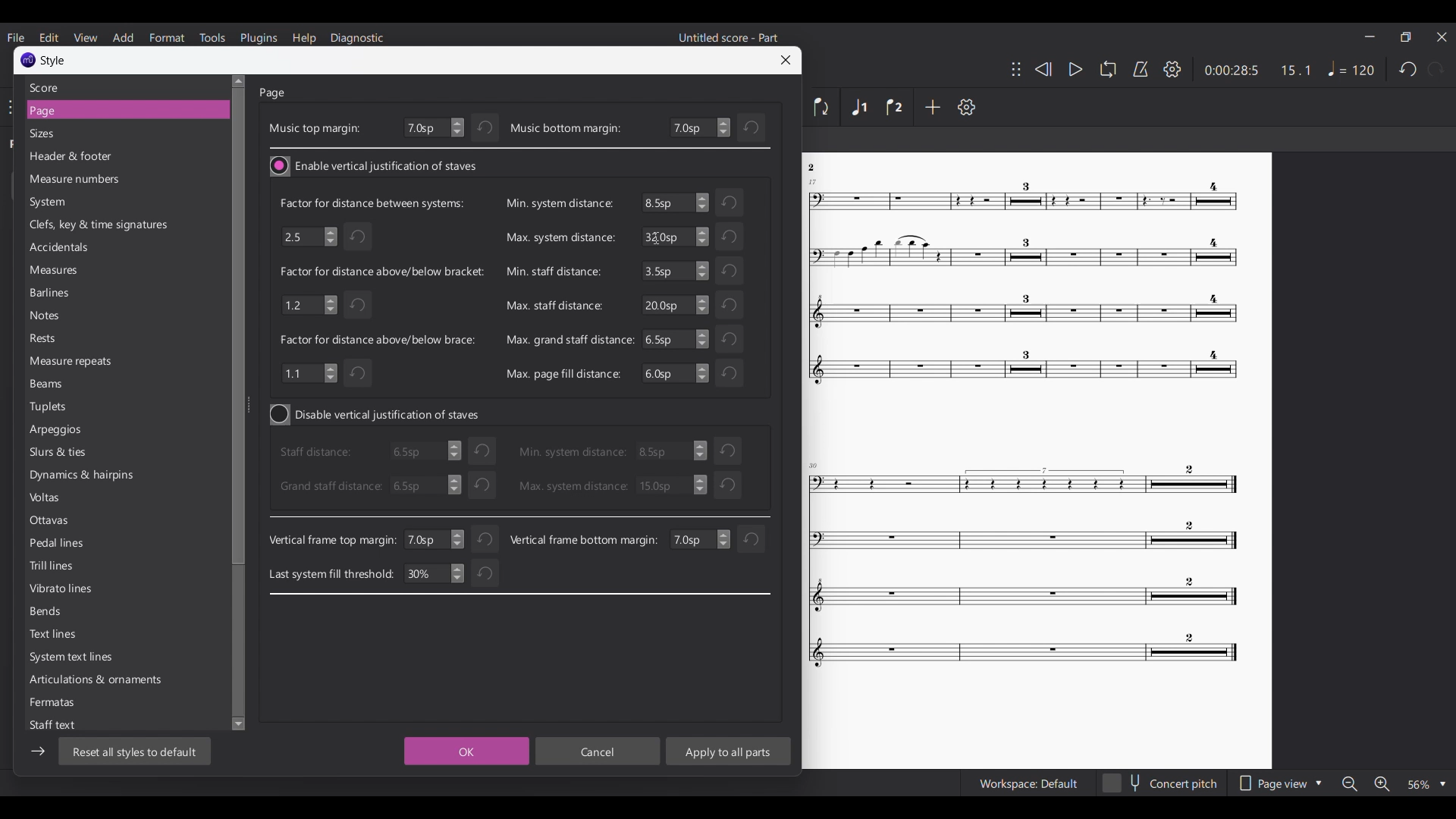 This screenshot has height=819, width=1456. I want to click on Indicates factor for distance above/below bracket, so click(382, 271).